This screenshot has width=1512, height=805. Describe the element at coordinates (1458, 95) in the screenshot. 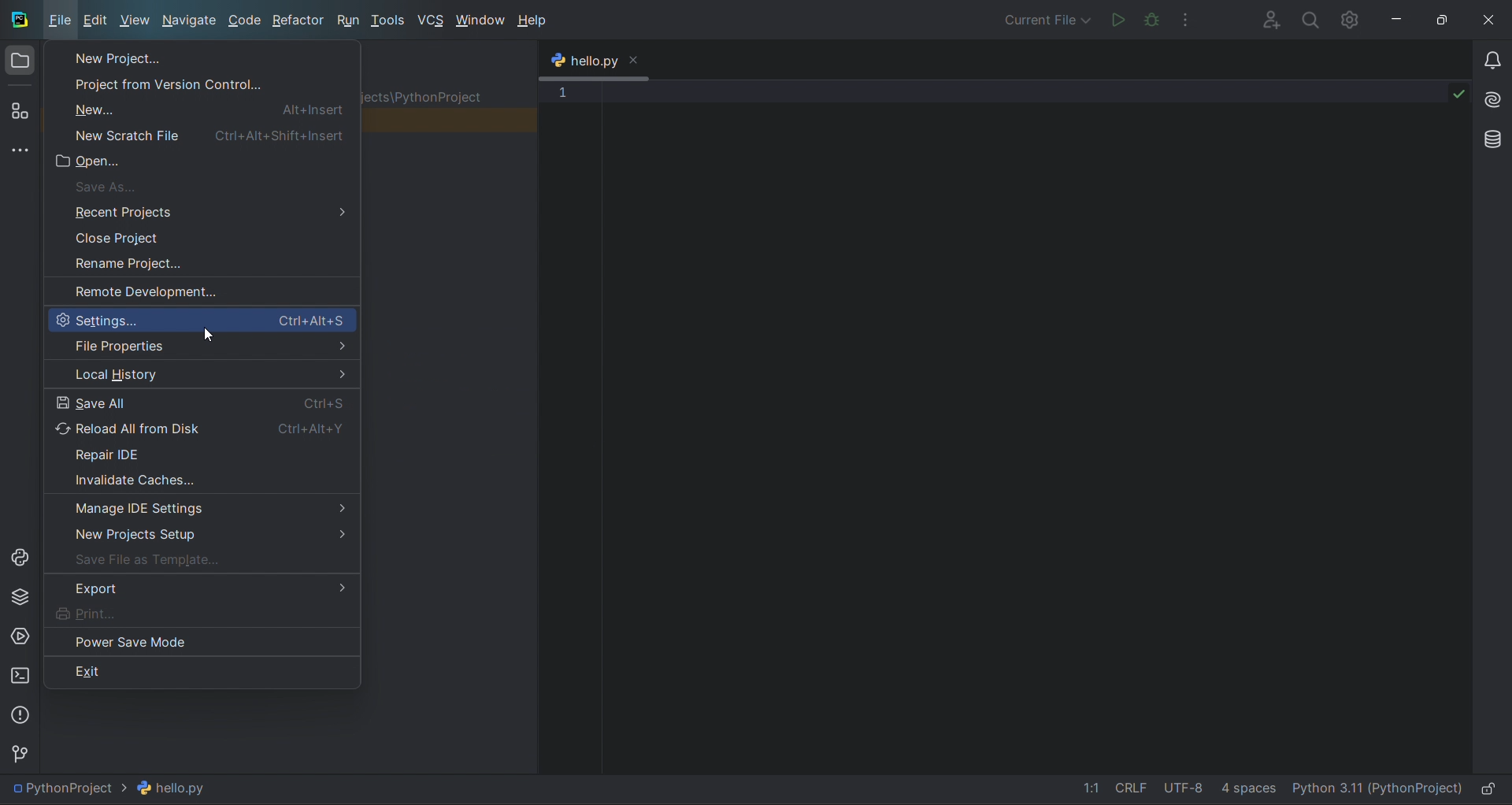

I see `check` at that location.